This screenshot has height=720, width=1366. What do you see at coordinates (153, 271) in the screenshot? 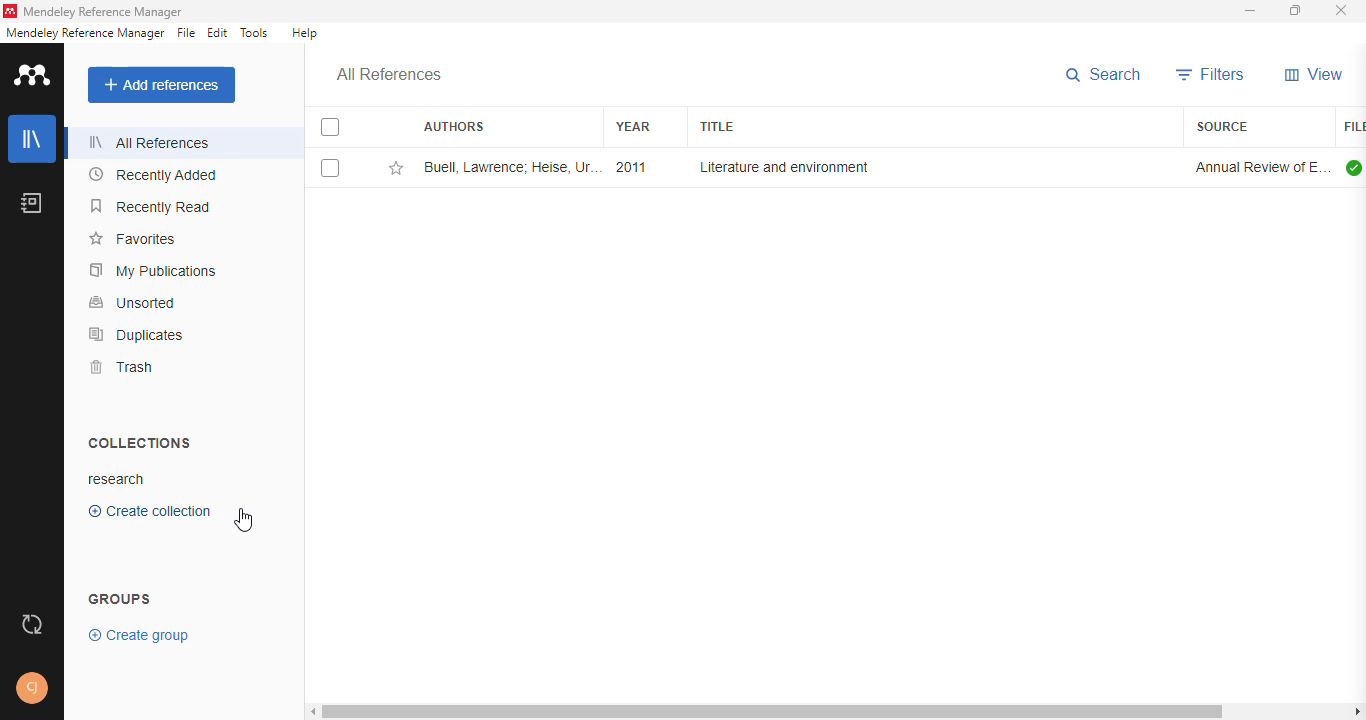
I see `my publications` at bounding box center [153, 271].